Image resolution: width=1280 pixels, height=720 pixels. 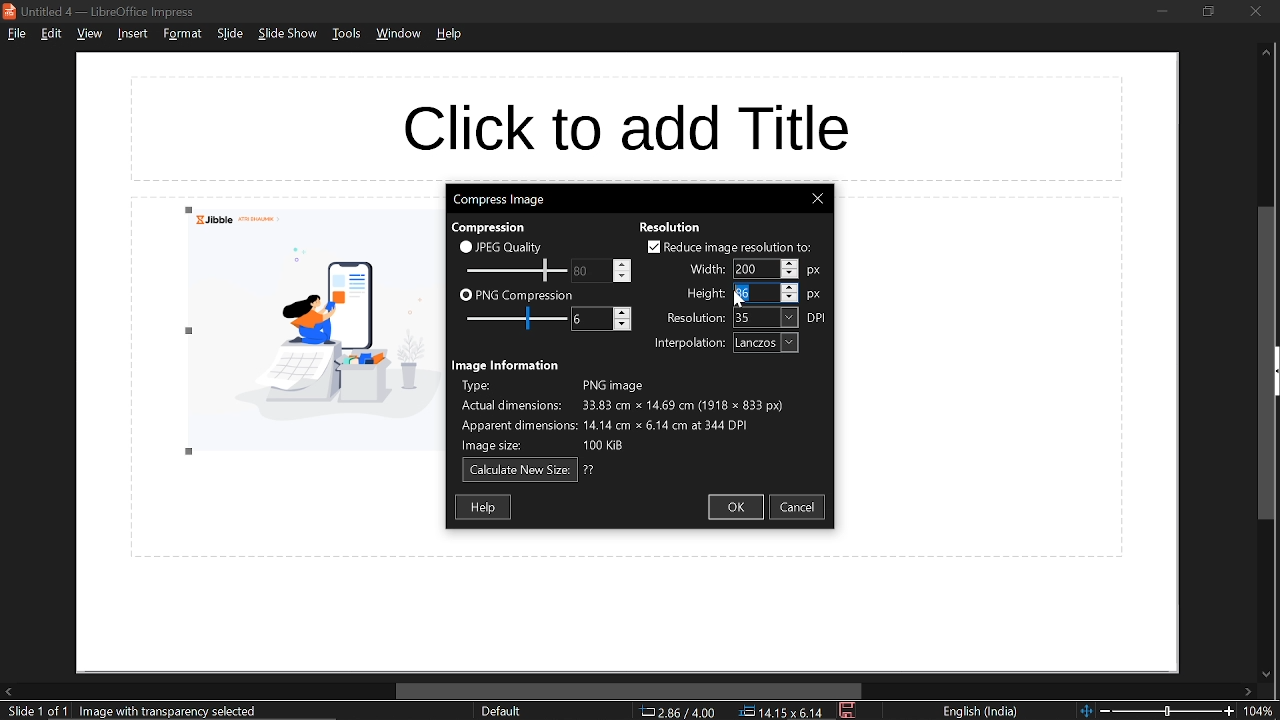 I want to click on move down, so click(x=1264, y=675).